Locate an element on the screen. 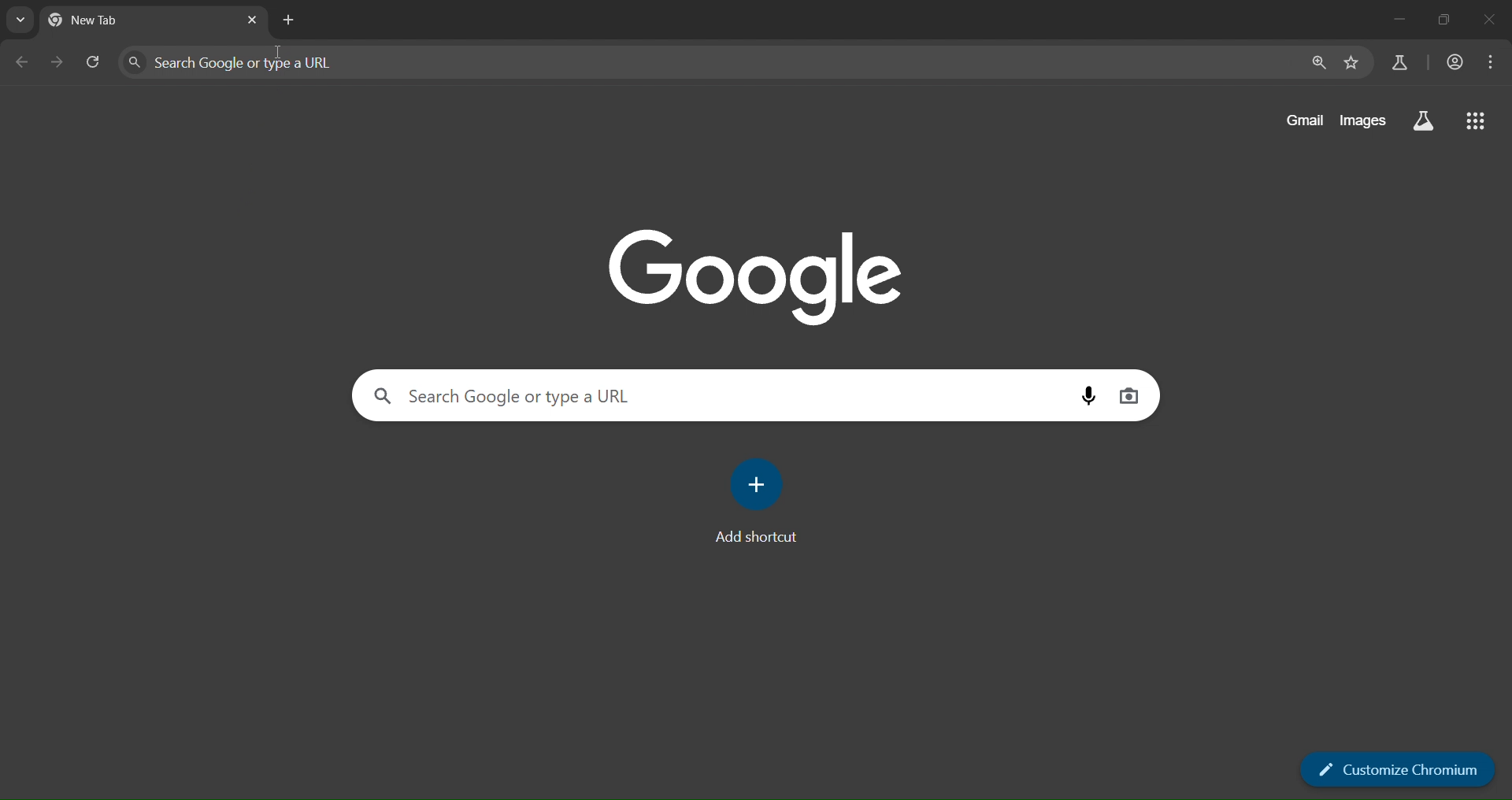 Image resolution: width=1512 pixels, height=800 pixels. go back one page is located at coordinates (27, 61).